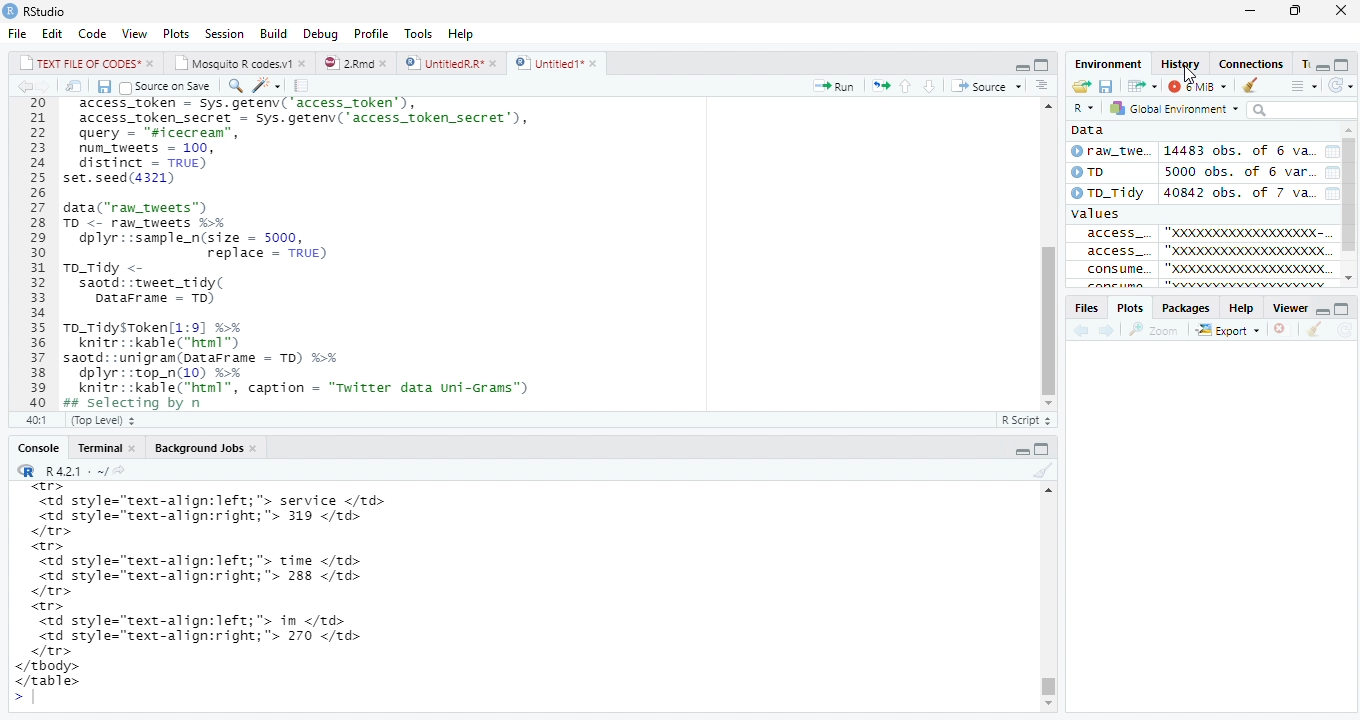 The width and height of the screenshot is (1360, 720). I want to click on Teominal, so click(105, 445).